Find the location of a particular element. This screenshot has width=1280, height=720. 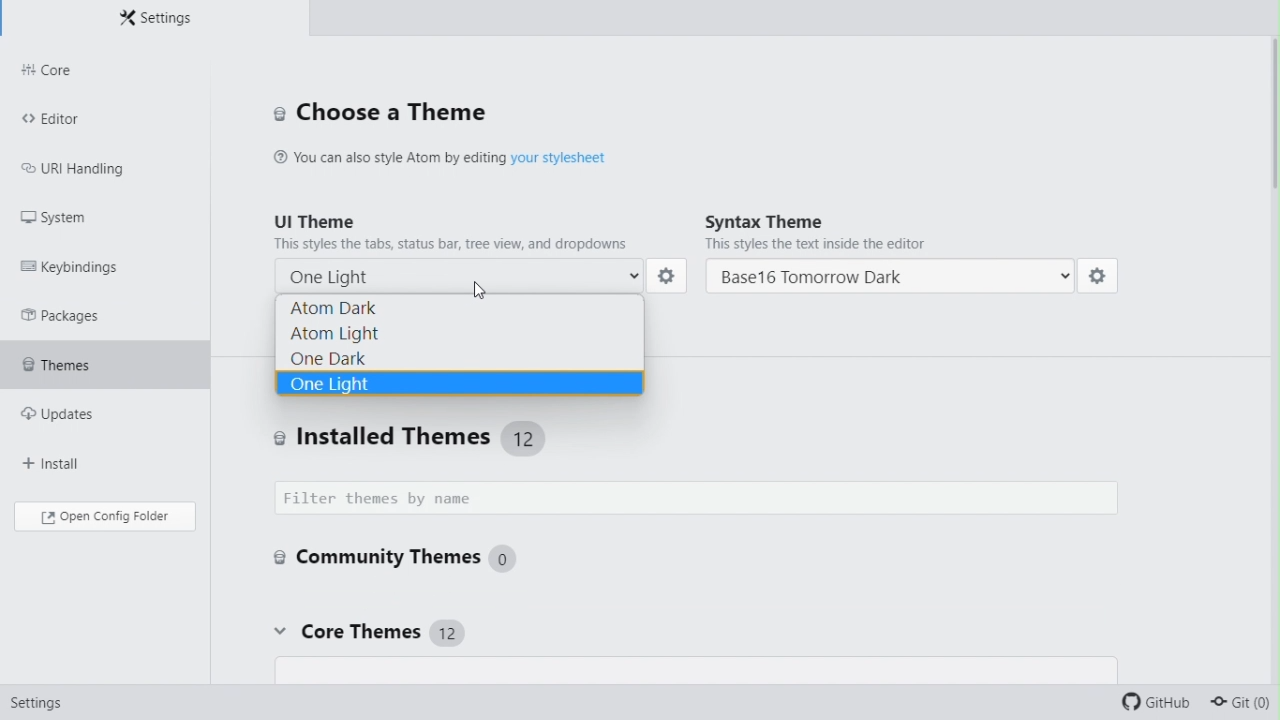

base16 tommorrow dark is located at coordinates (891, 278).